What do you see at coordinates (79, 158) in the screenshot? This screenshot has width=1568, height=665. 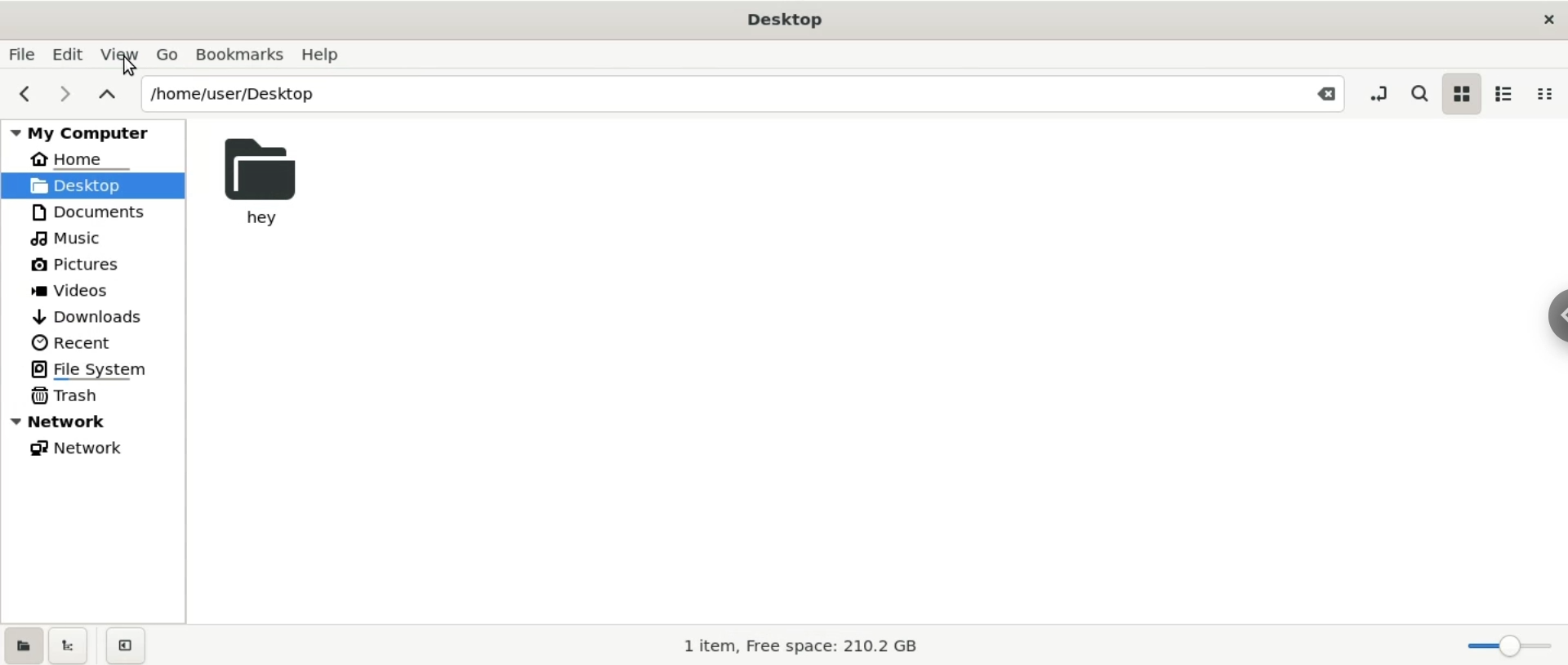 I see `Home` at bounding box center [79, 158].